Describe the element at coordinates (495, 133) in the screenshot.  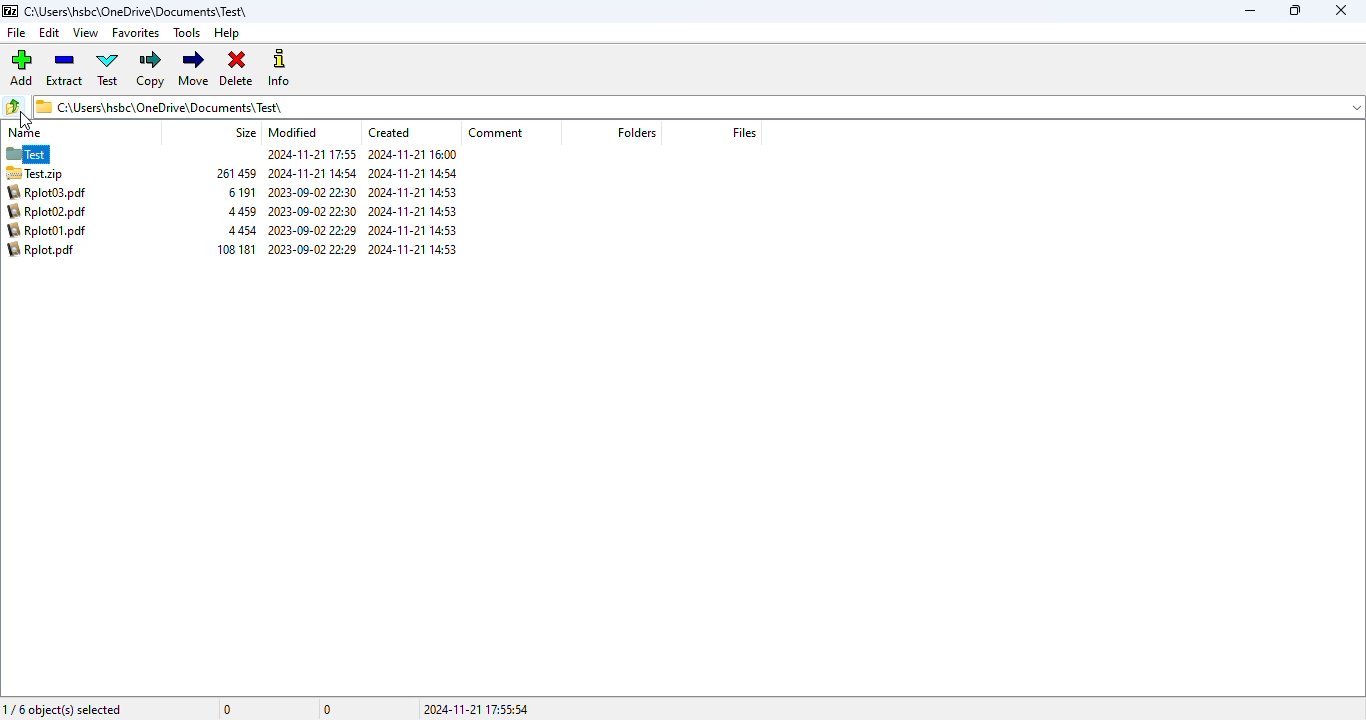
I see `comment` at that location.